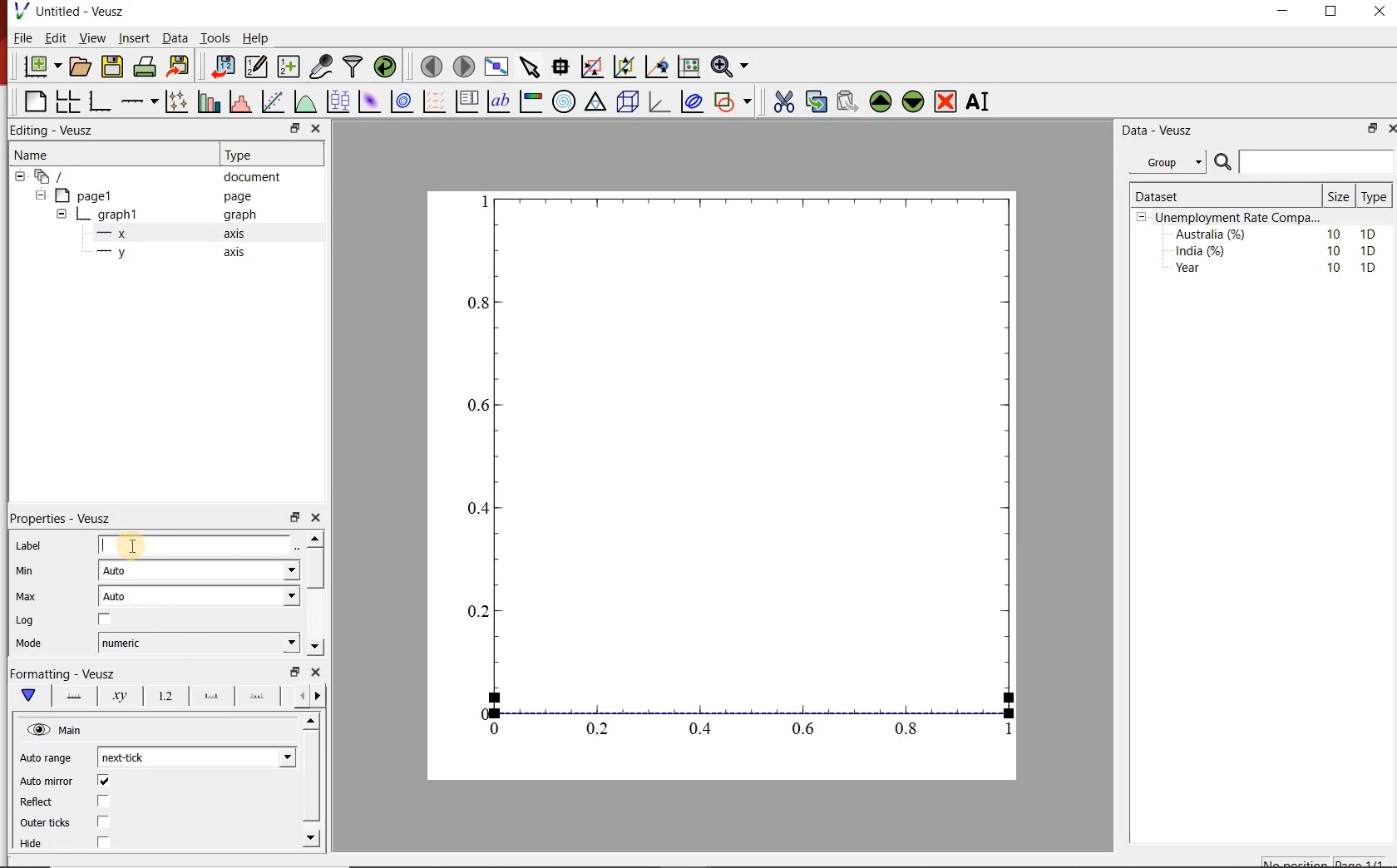  Describe the element at coordinates (105, 153) in the screenshot. I see `Name` at that location.